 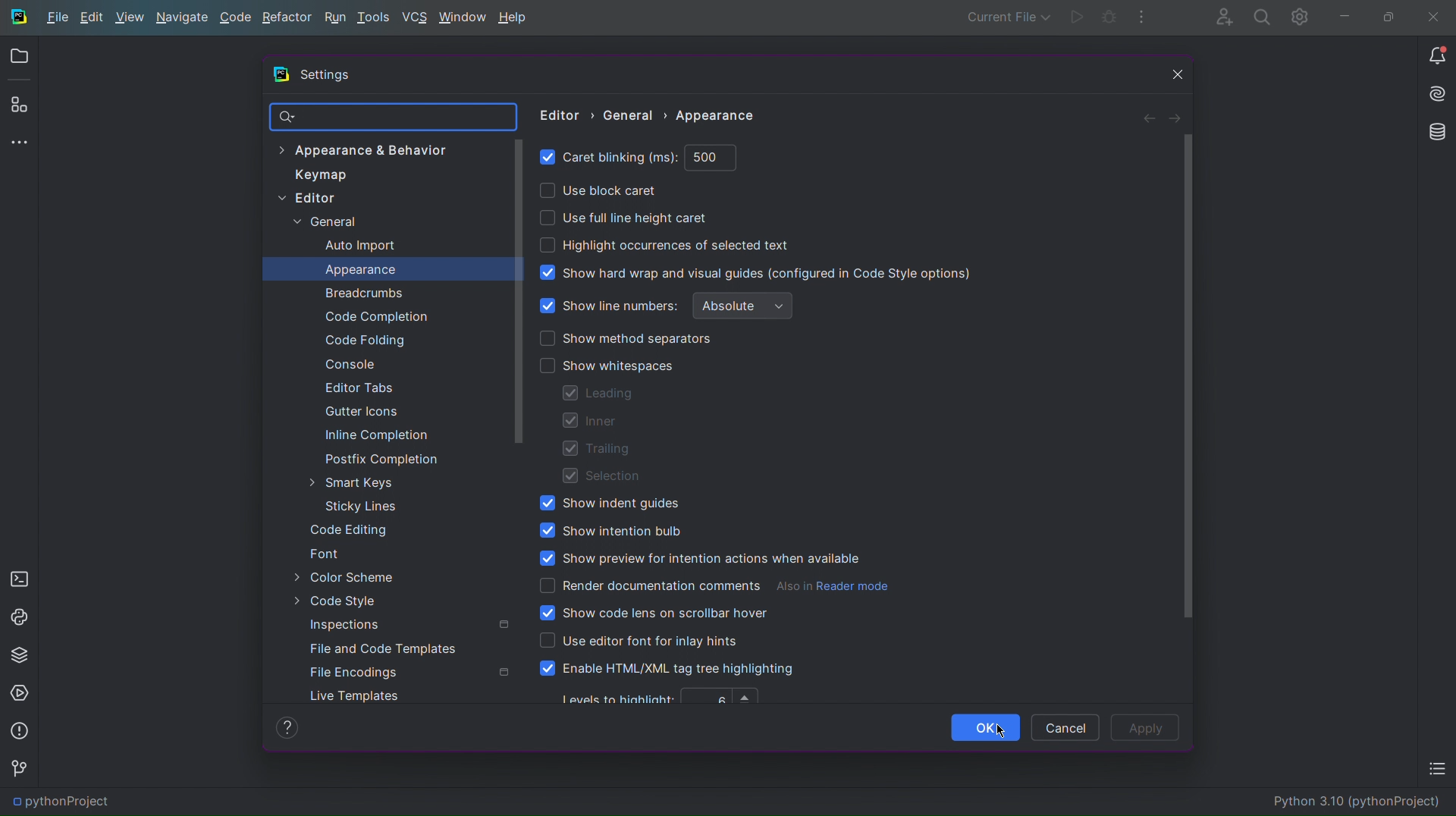 I want to click on Navigate, so click(x=185, y=17).